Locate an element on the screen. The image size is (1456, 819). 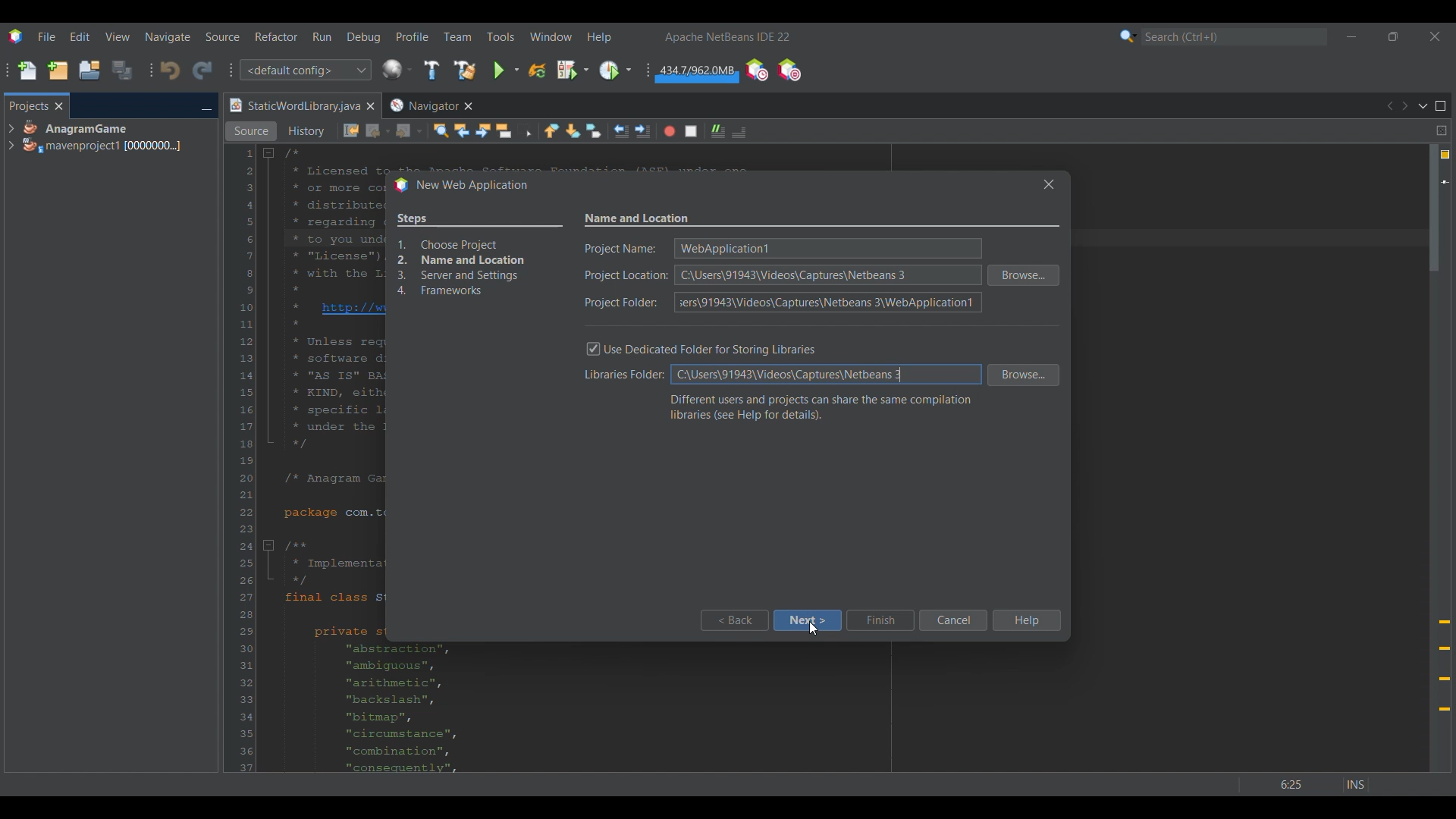
Uncomment is located at coordinates (718, 131).